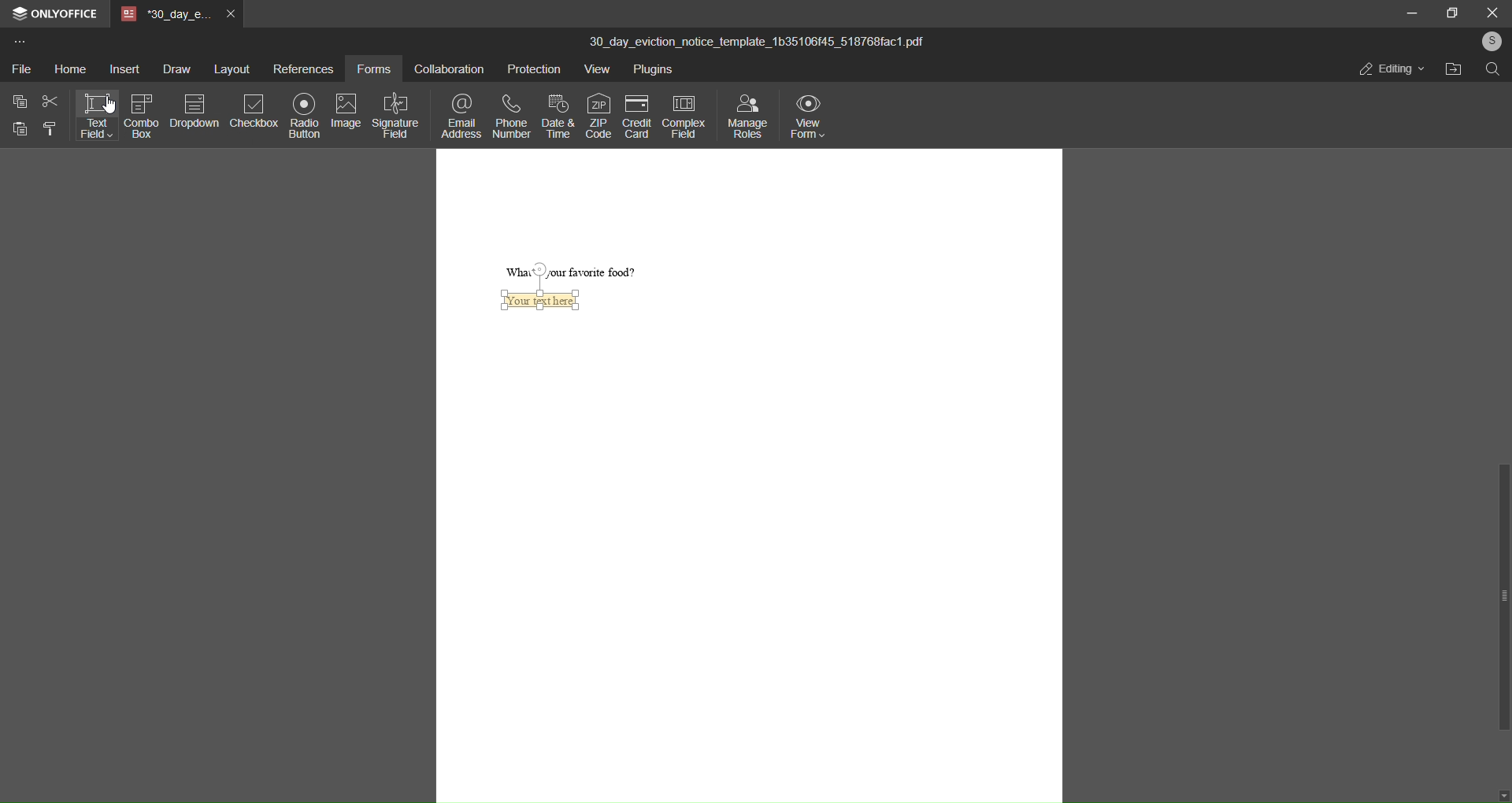  I want to click on dropdown, so click(193, 113).